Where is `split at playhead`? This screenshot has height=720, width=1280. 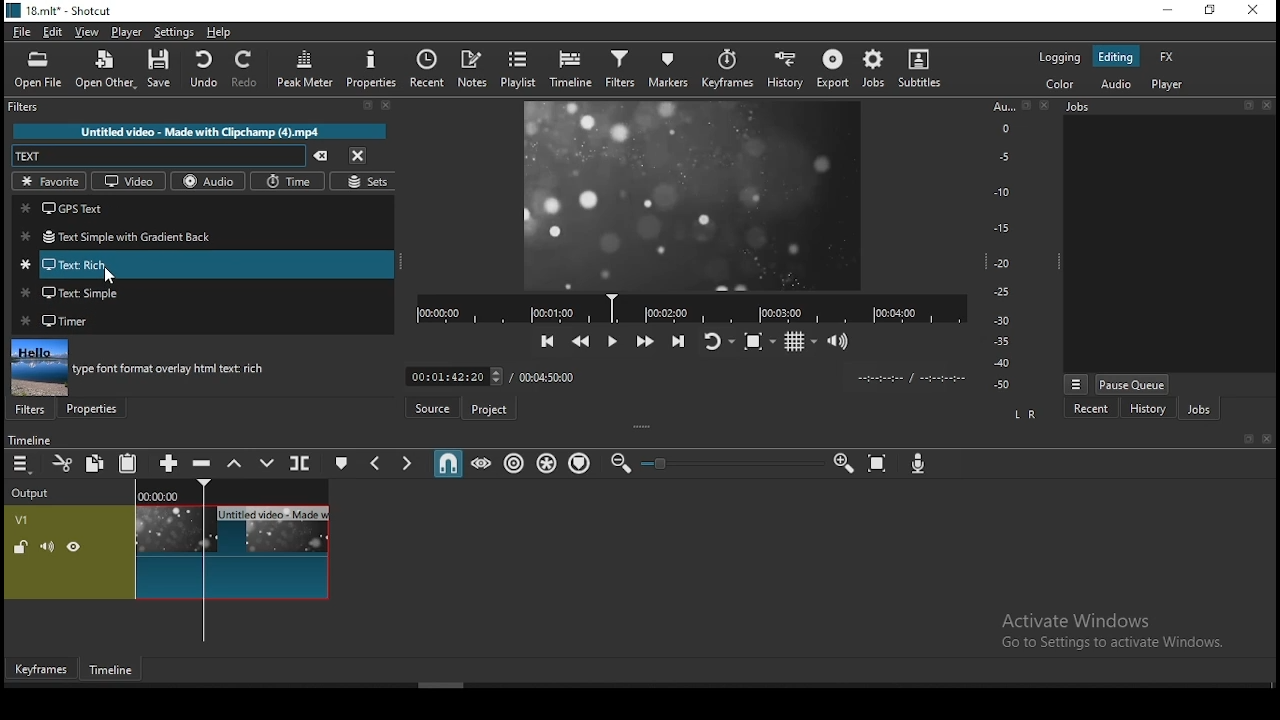
split at playhead is located at coordinates (301, 462).